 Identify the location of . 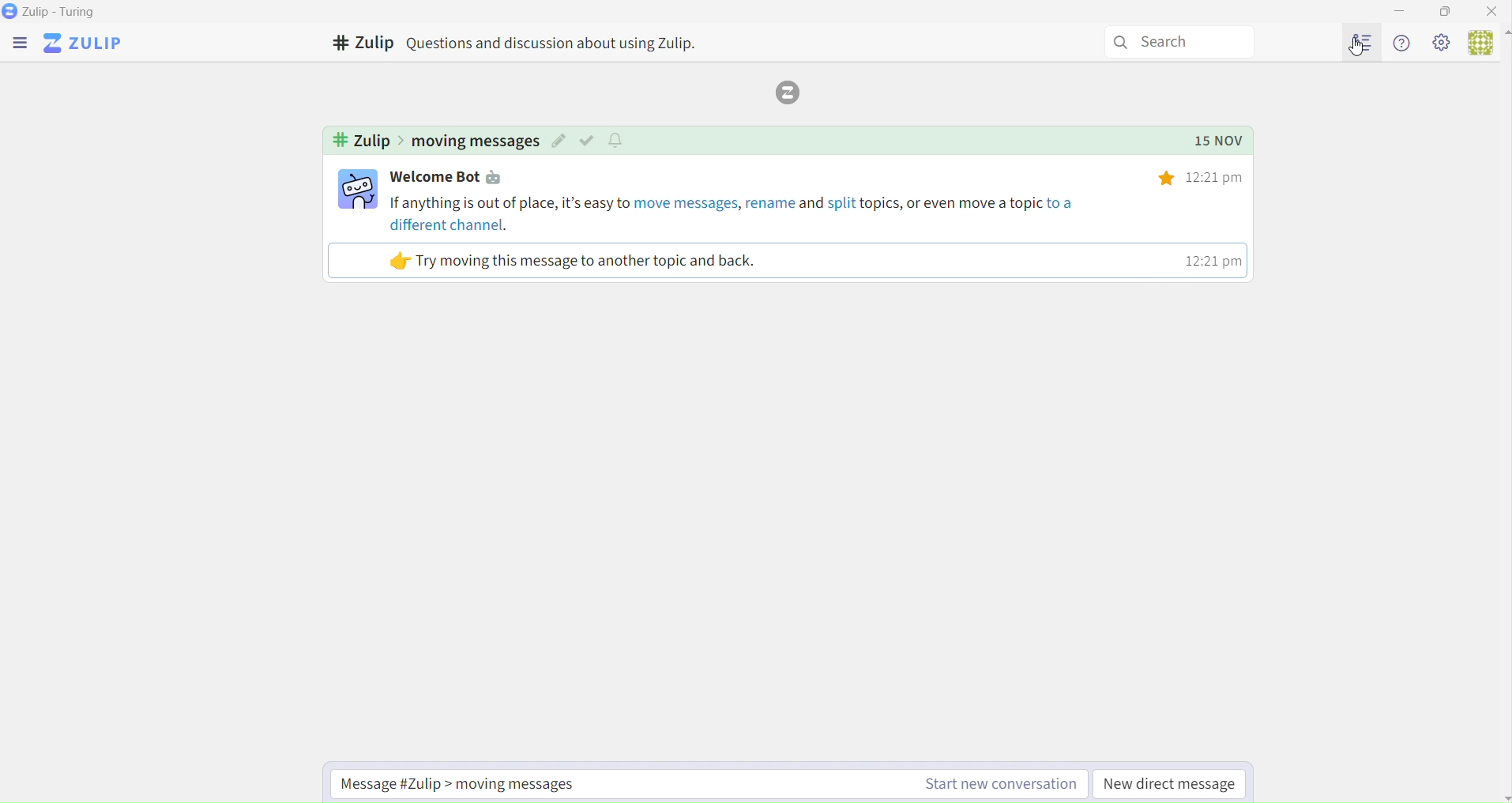
(1168, 179).